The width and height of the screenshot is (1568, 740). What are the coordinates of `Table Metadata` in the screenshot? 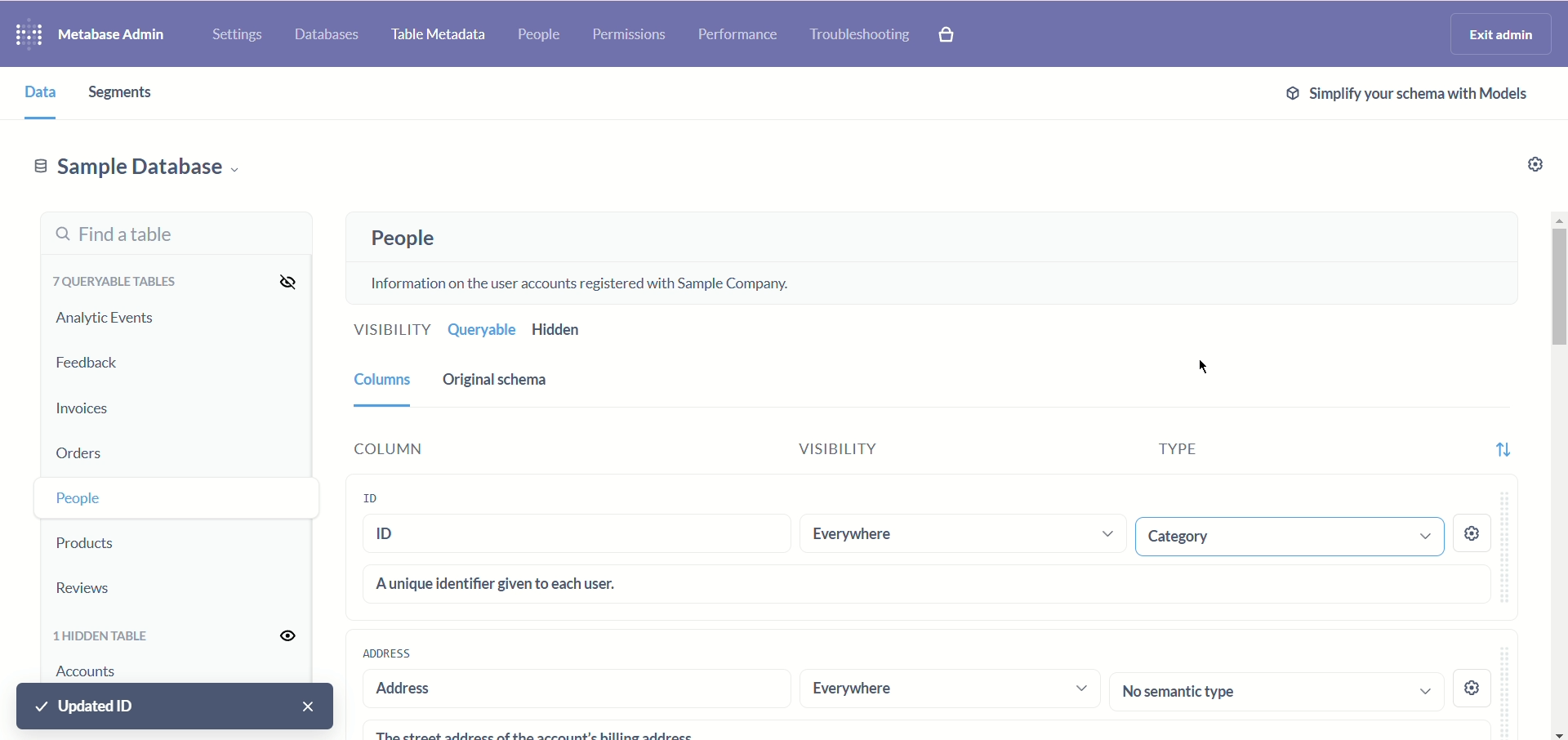 It's located at (440, 37).